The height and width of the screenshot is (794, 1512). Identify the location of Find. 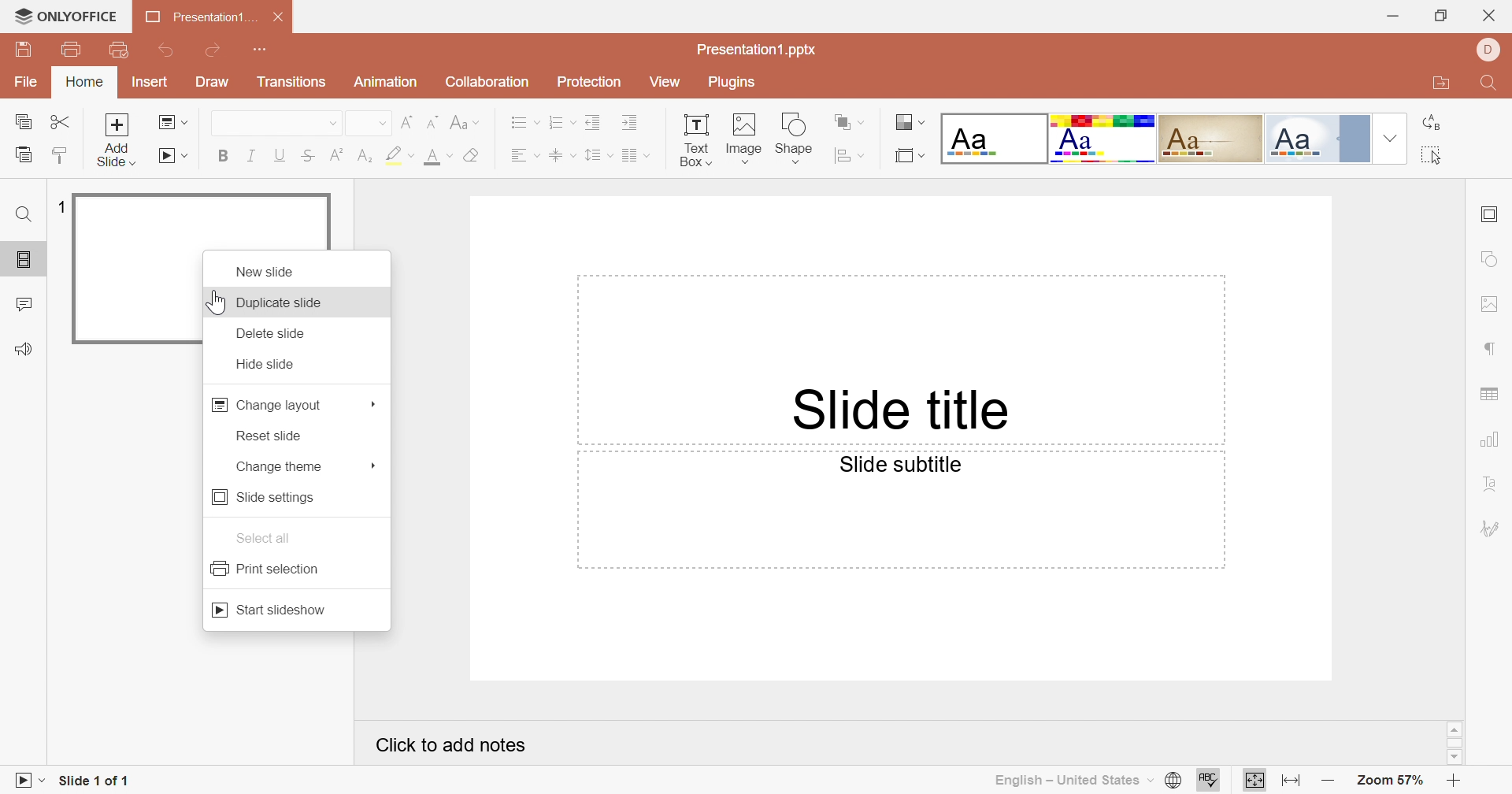
(1487, 82).